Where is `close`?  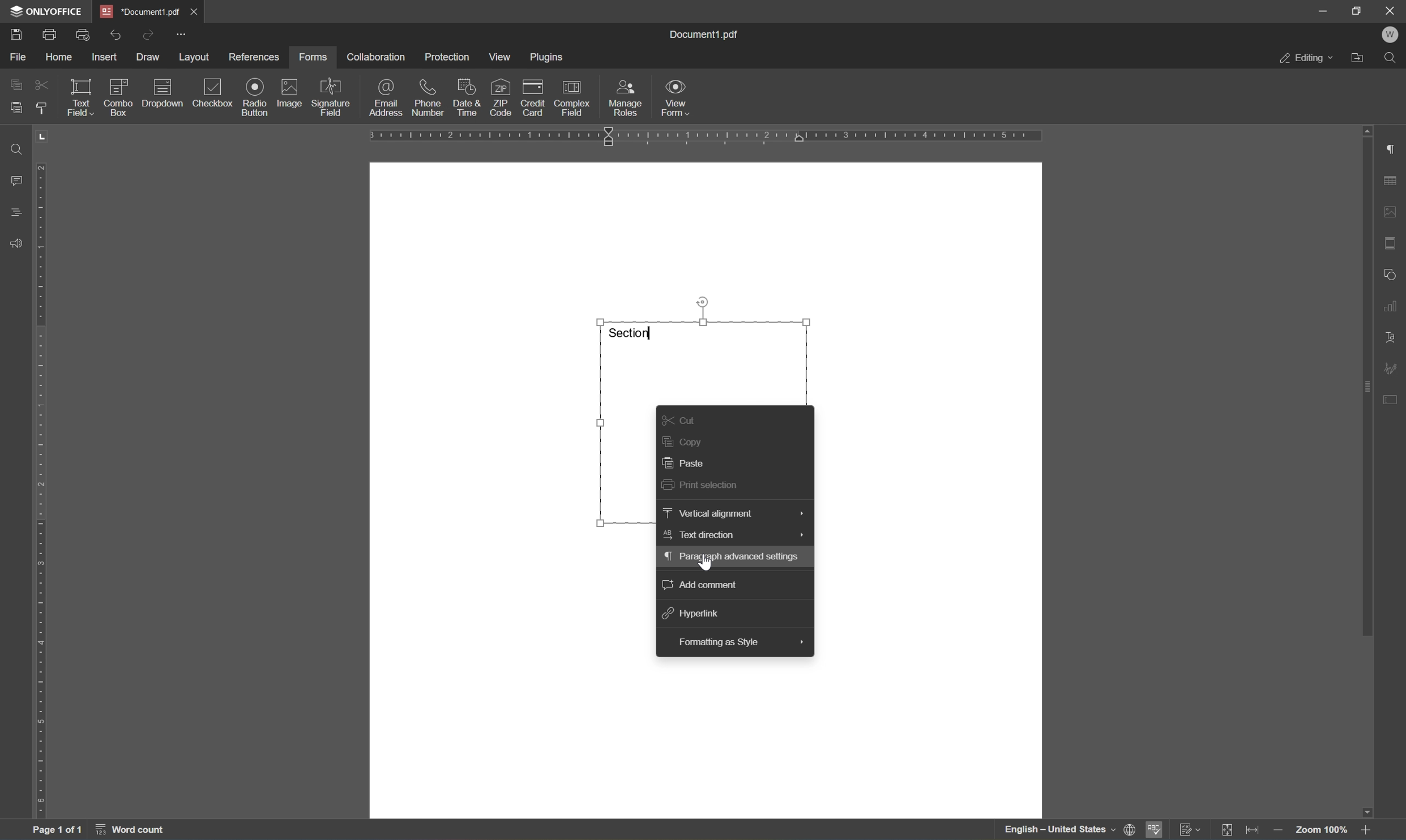 close is located at coordinates (1391, 10).